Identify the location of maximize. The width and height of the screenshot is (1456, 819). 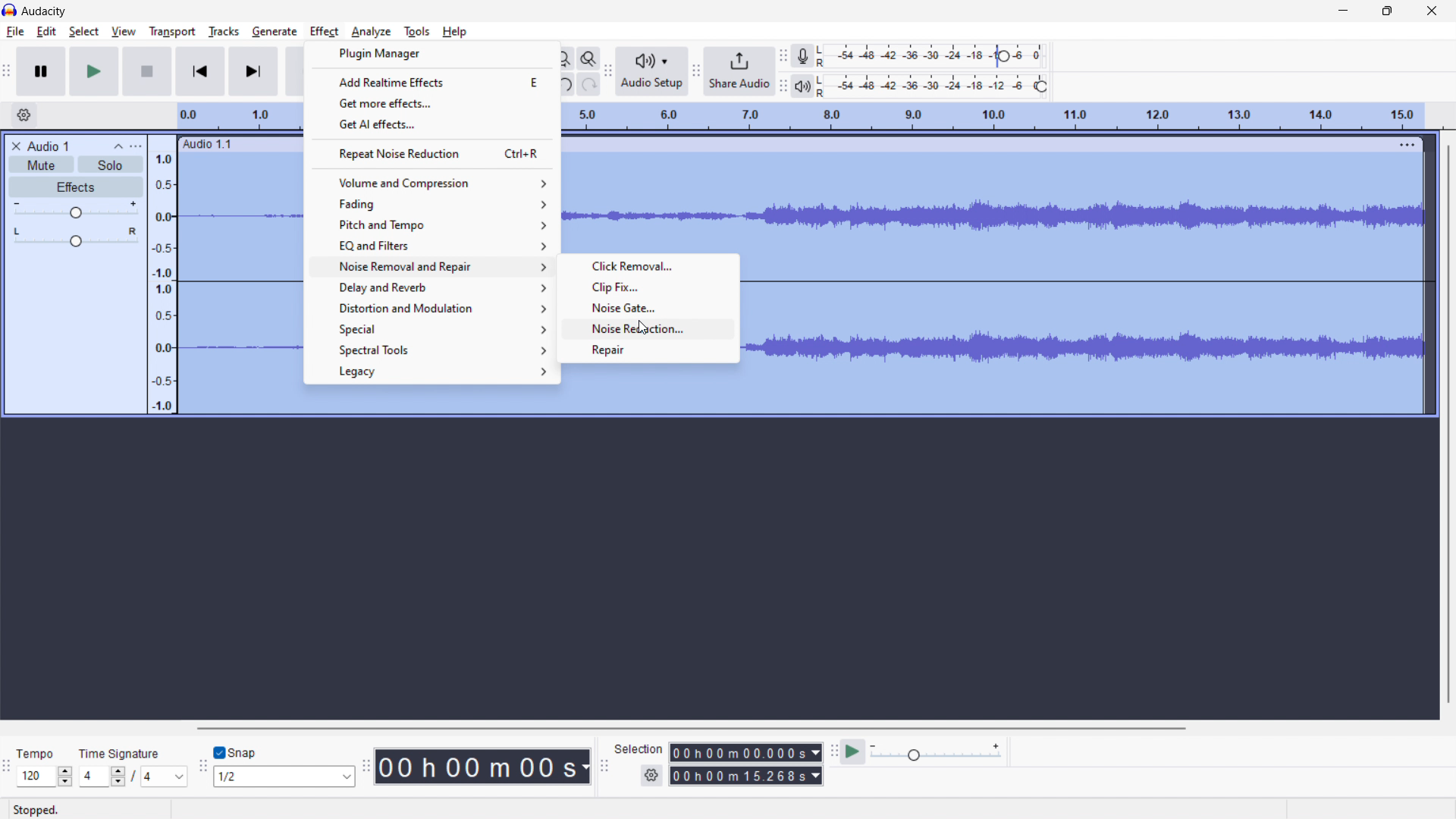
(1387, 12).